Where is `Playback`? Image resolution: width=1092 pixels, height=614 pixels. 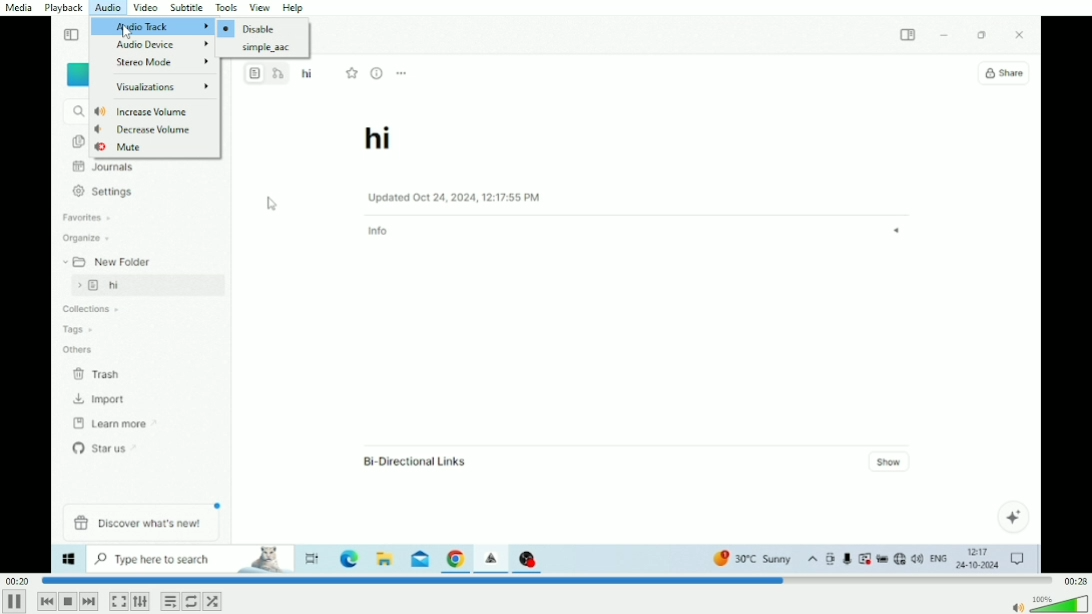 Playback is located at coordinates (66, 8).